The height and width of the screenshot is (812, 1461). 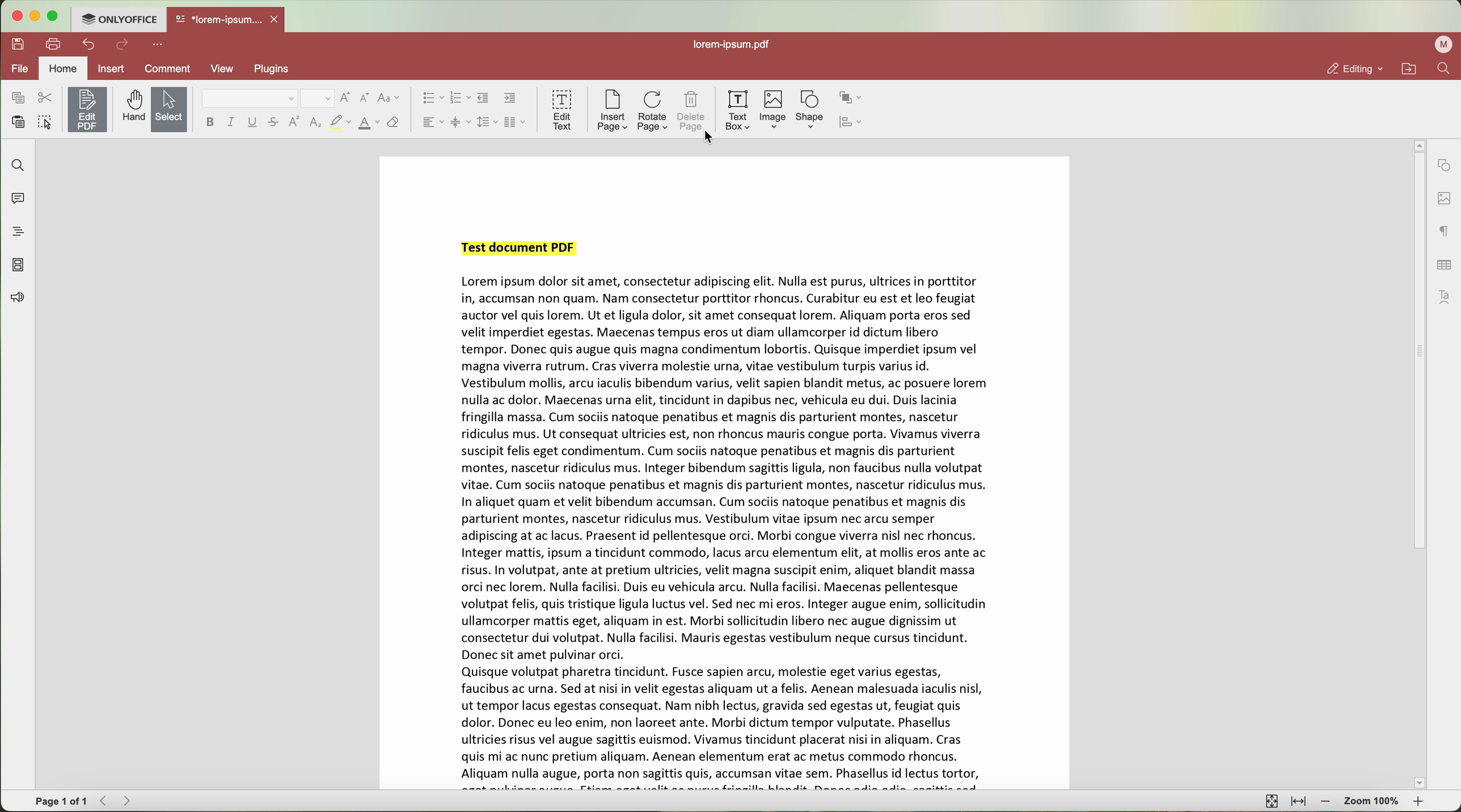 I want to click on zoom 100%, so click(x=1373, y=801).